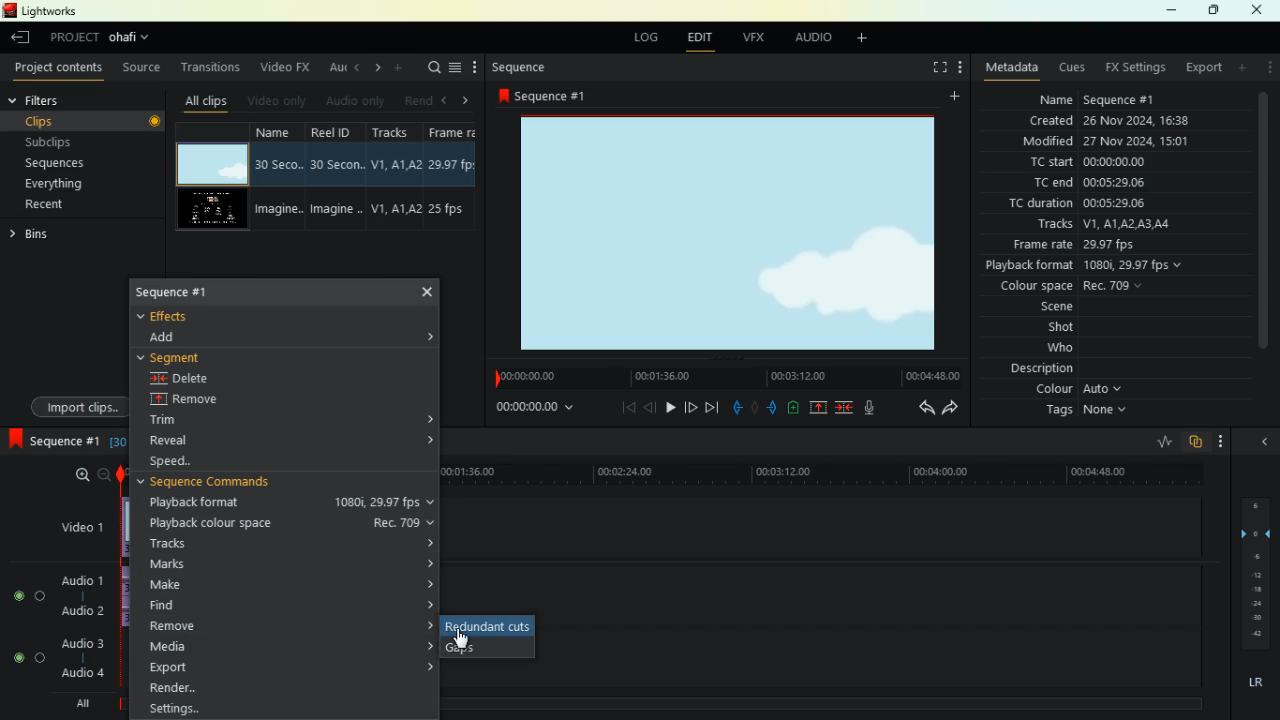 This screenshot has height=720, width=1280. I want to click on time, so click(531, 411).